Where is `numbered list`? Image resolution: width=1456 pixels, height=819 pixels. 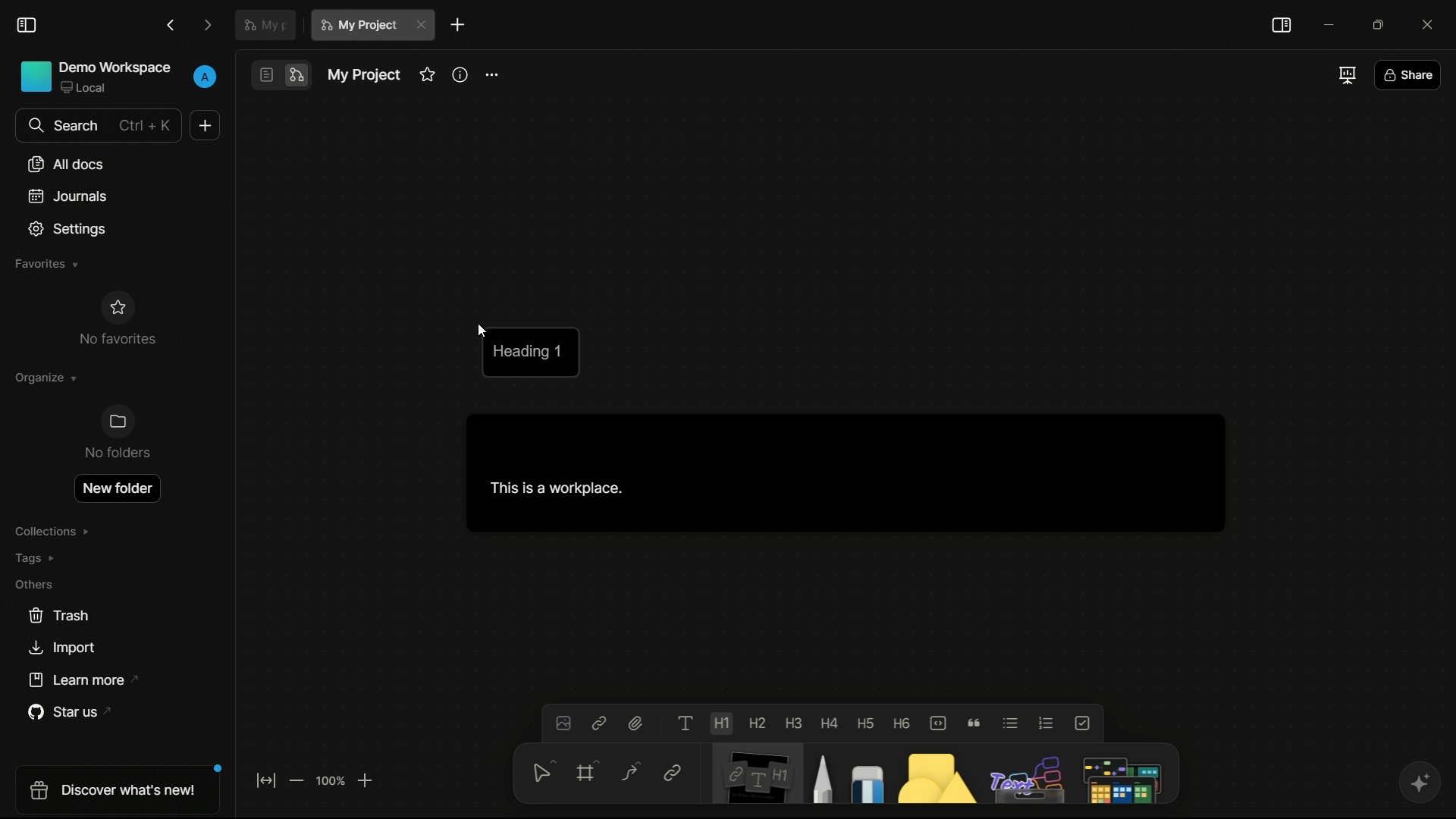
numbered list is located at coordinates (1044, 720).